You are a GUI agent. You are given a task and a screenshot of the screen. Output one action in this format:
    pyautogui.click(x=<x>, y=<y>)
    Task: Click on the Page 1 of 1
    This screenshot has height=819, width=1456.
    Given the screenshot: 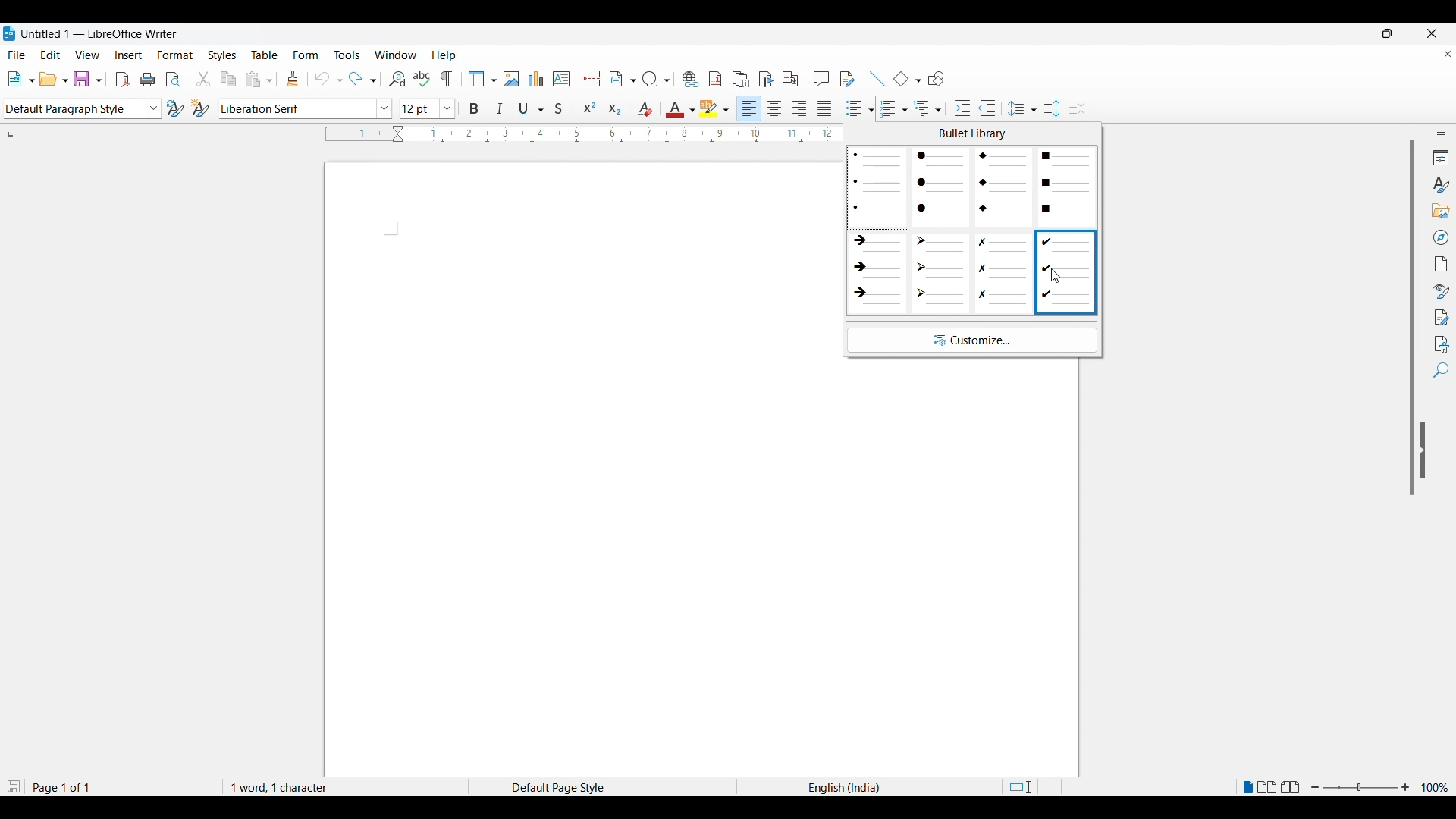 What is the action you would take?
    pyautogui.click(x=61, y=786)
    